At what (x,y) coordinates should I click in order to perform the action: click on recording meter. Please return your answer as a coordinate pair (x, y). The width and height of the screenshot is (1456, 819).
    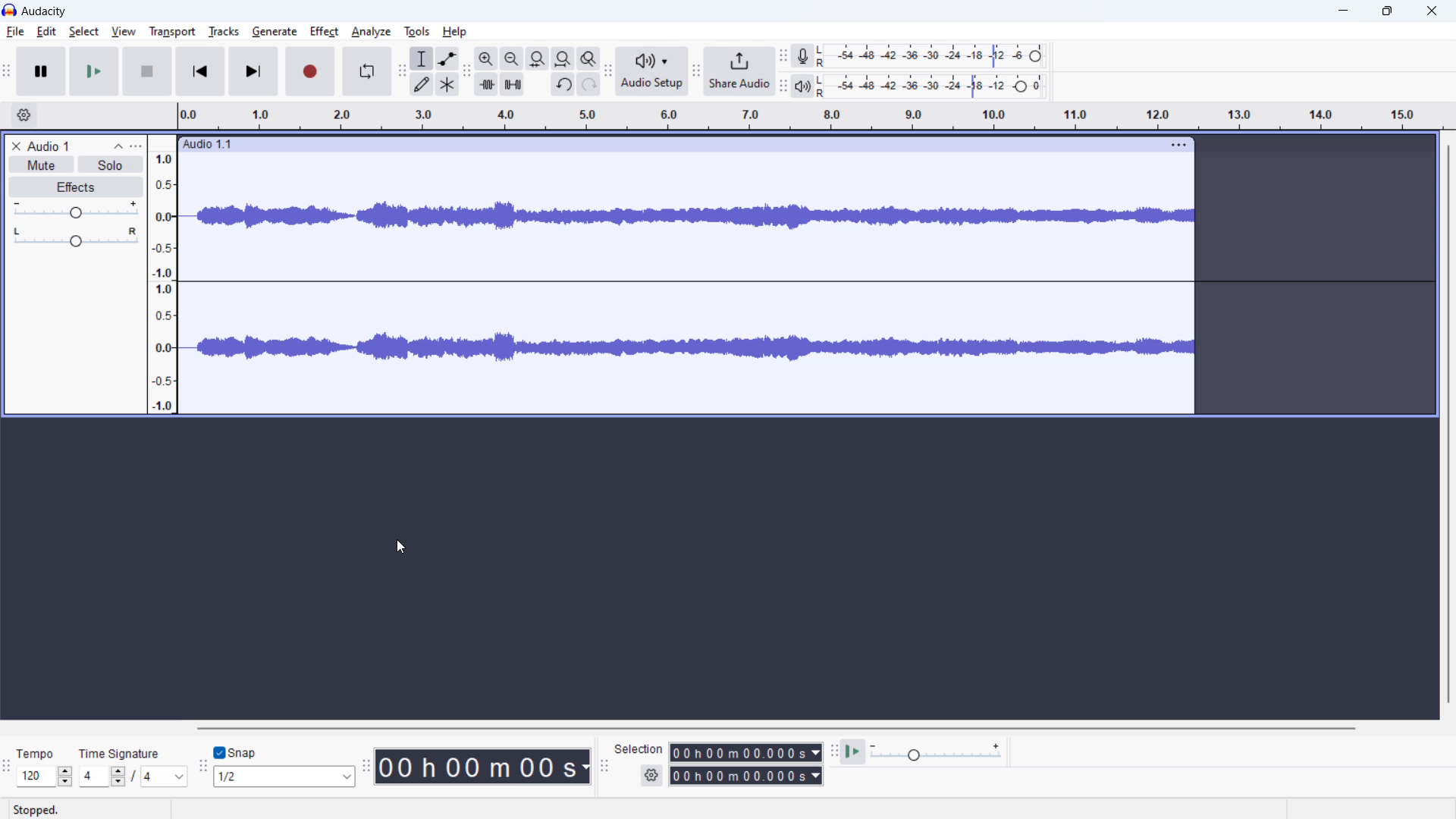
    Looking at the image, I should click on (802, 56).